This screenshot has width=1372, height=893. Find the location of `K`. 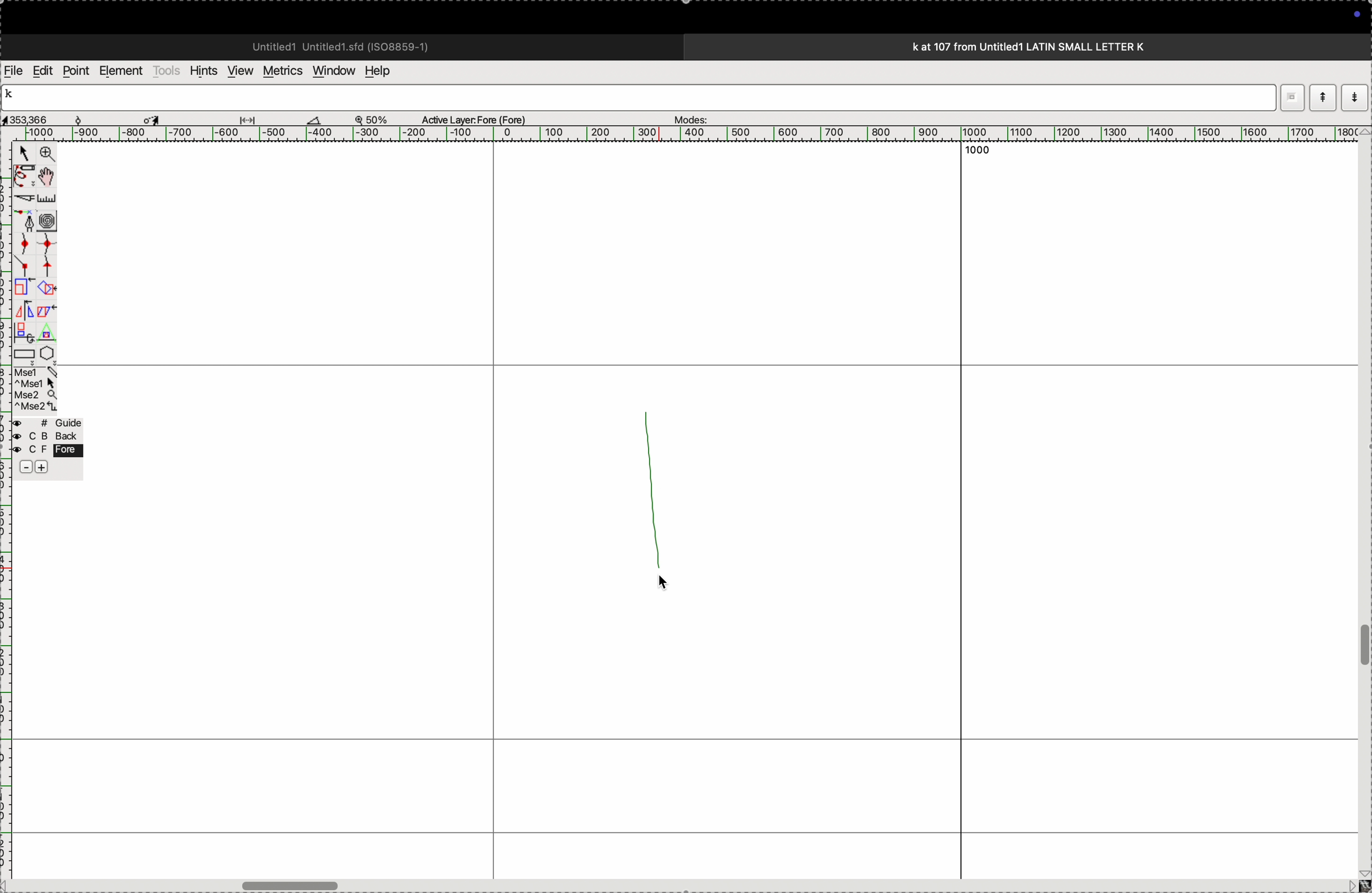

K is located at coordinates (14, 96).